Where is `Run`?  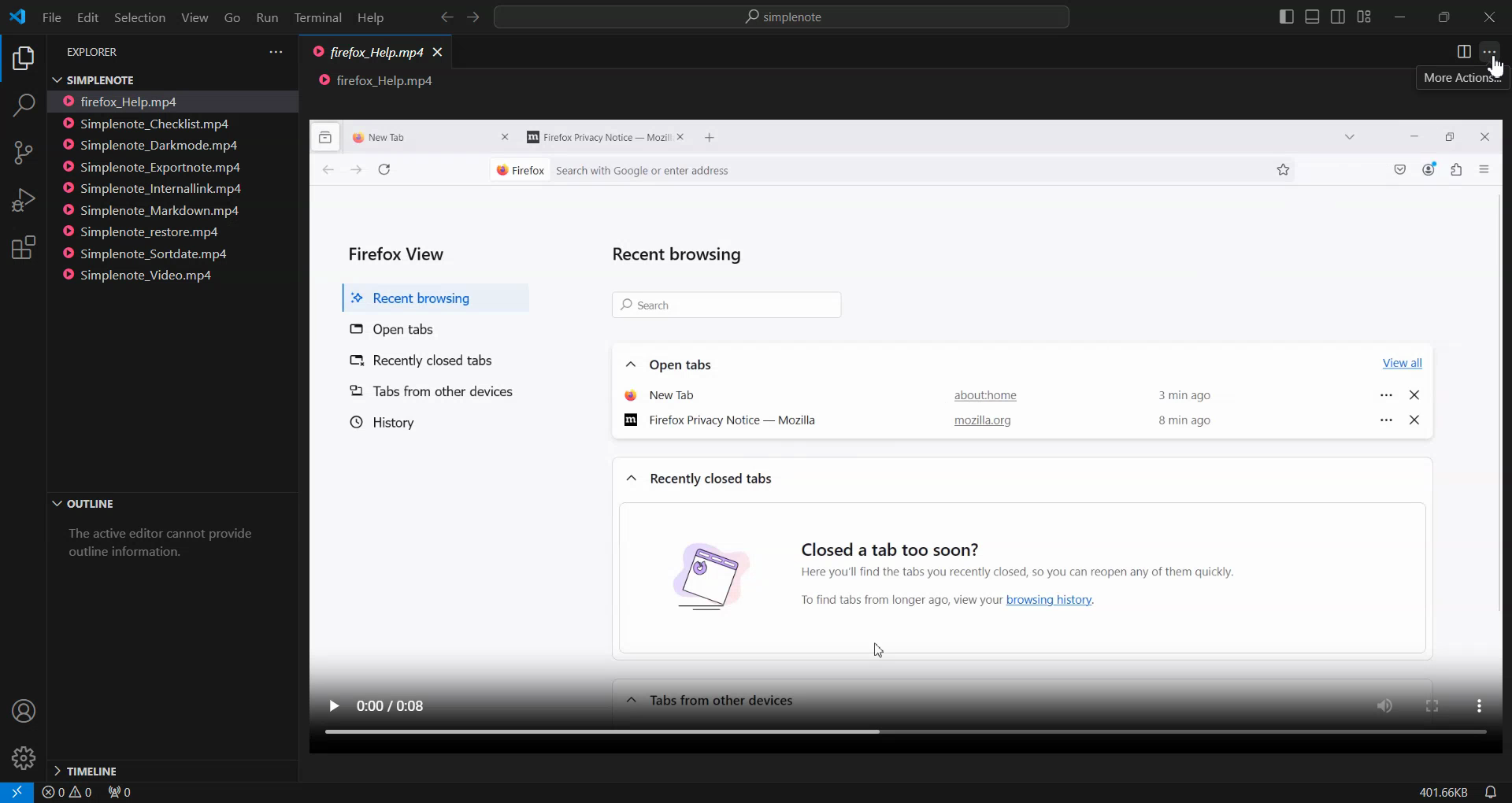 Run is located at coordinates (266, 19).